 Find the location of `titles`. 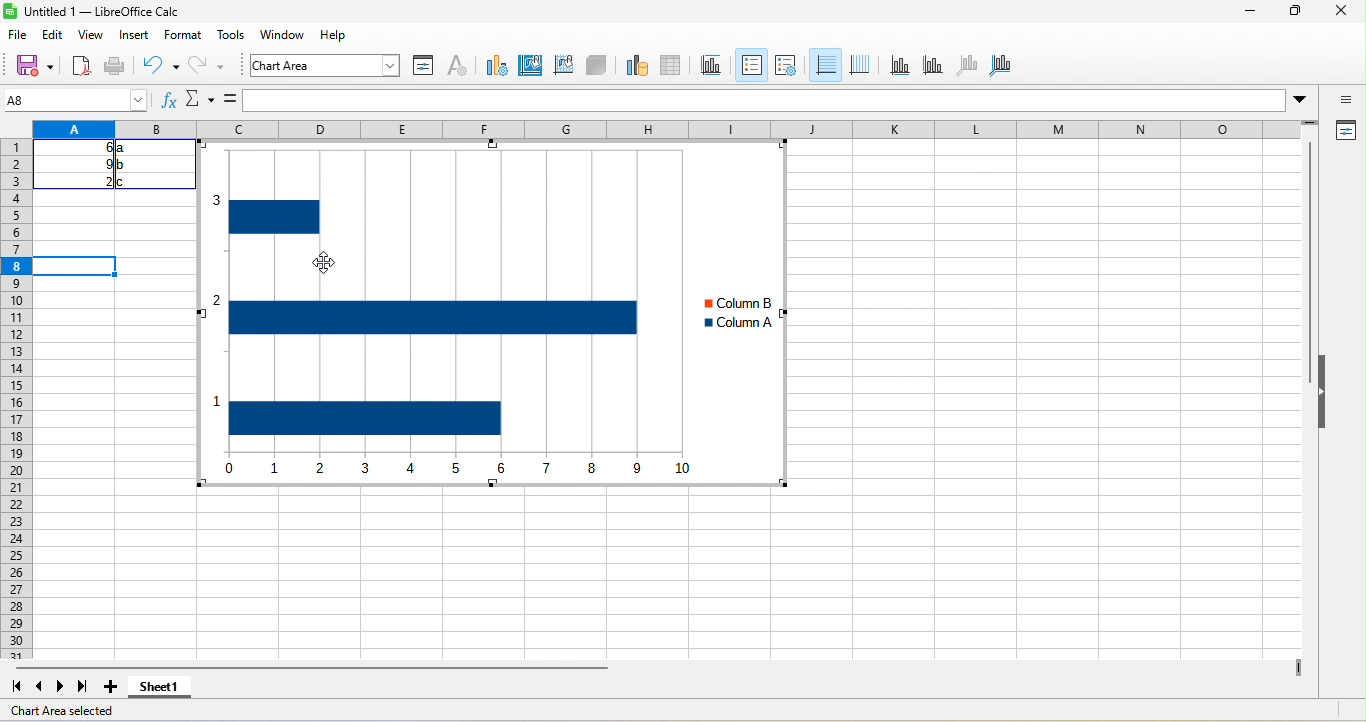

titles is located at coordinates (787, 66).